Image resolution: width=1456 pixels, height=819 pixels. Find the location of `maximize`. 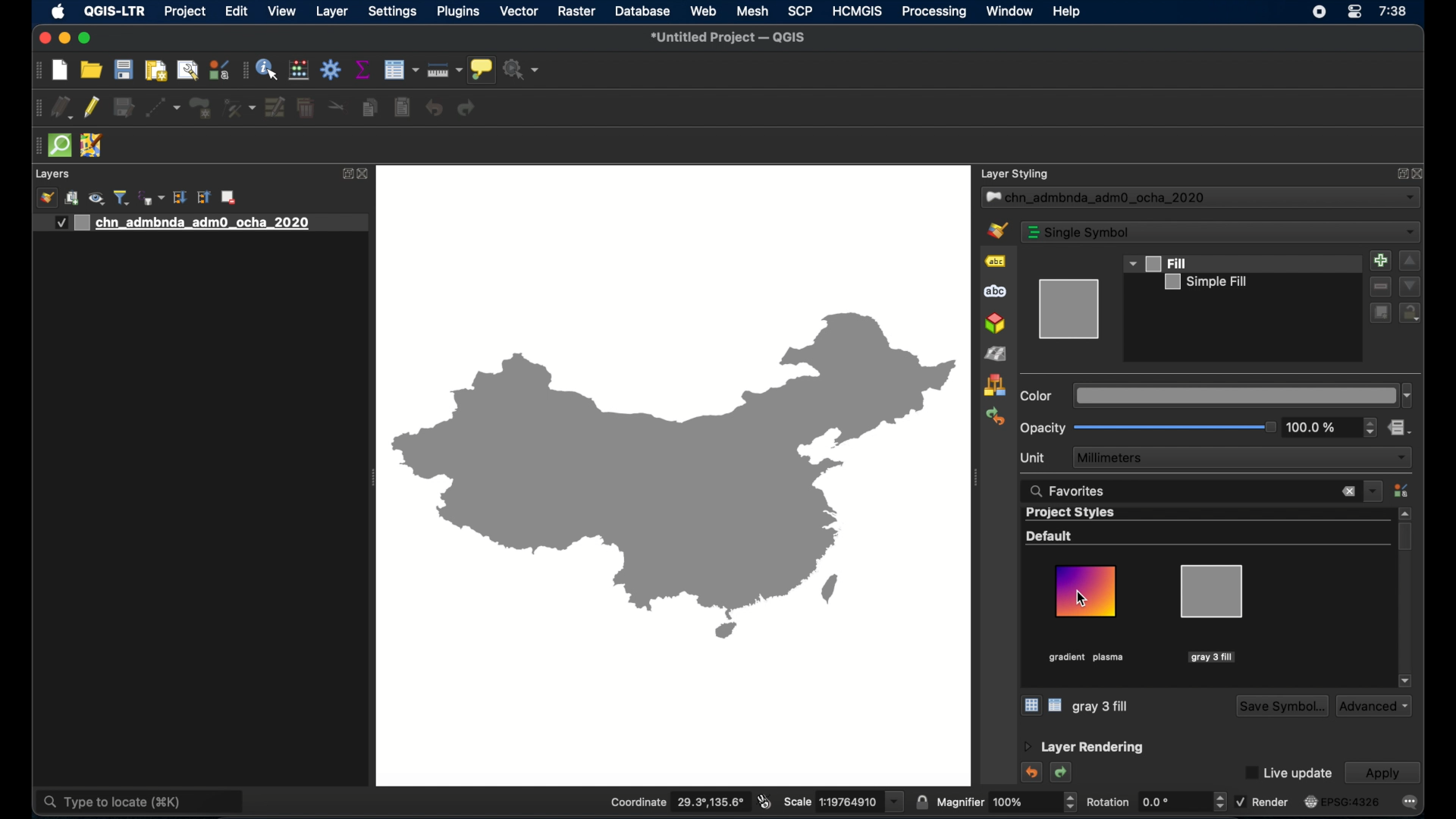

maximize is located at coordinates (86, 39).